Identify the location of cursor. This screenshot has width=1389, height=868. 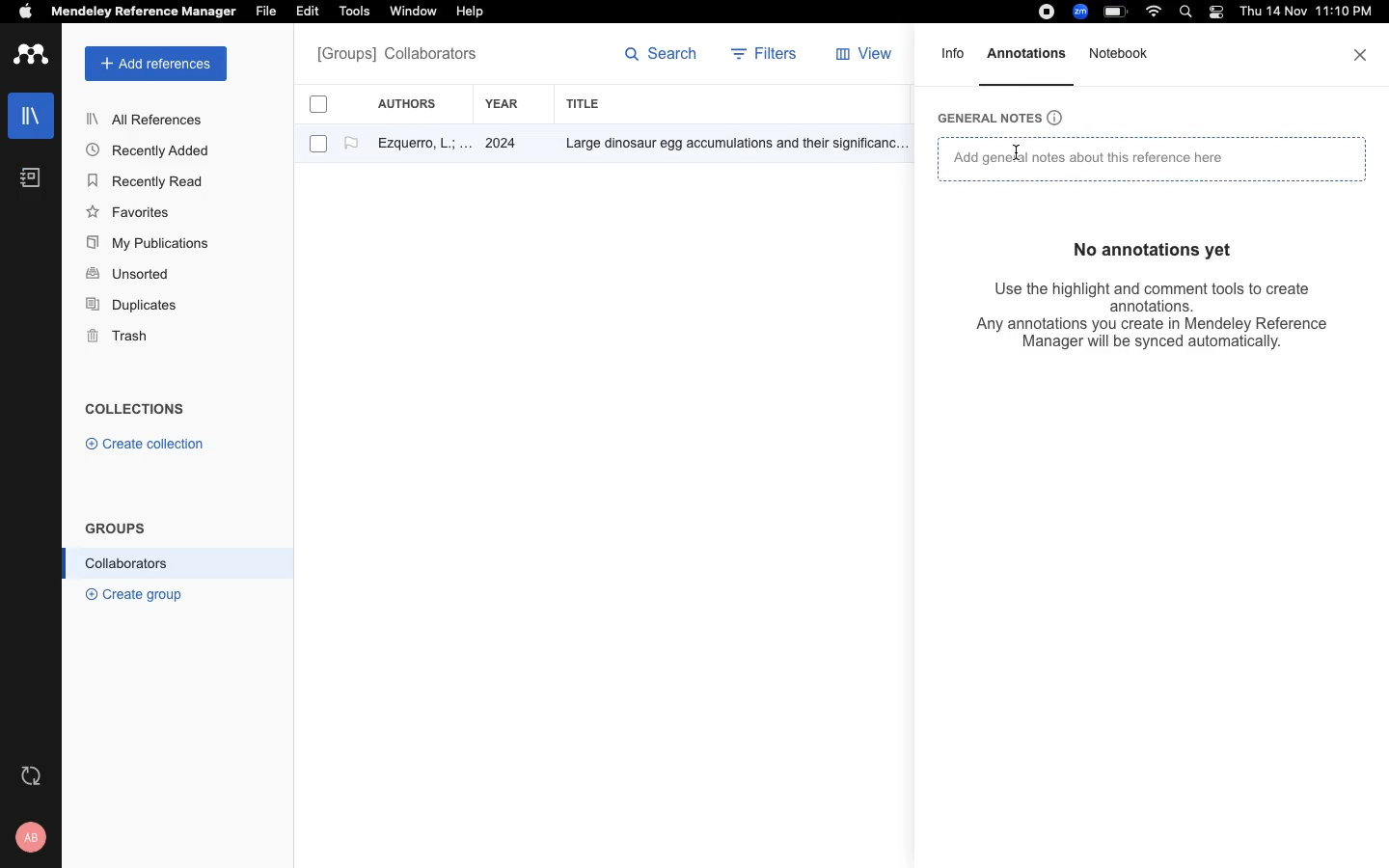
(1020, 155).